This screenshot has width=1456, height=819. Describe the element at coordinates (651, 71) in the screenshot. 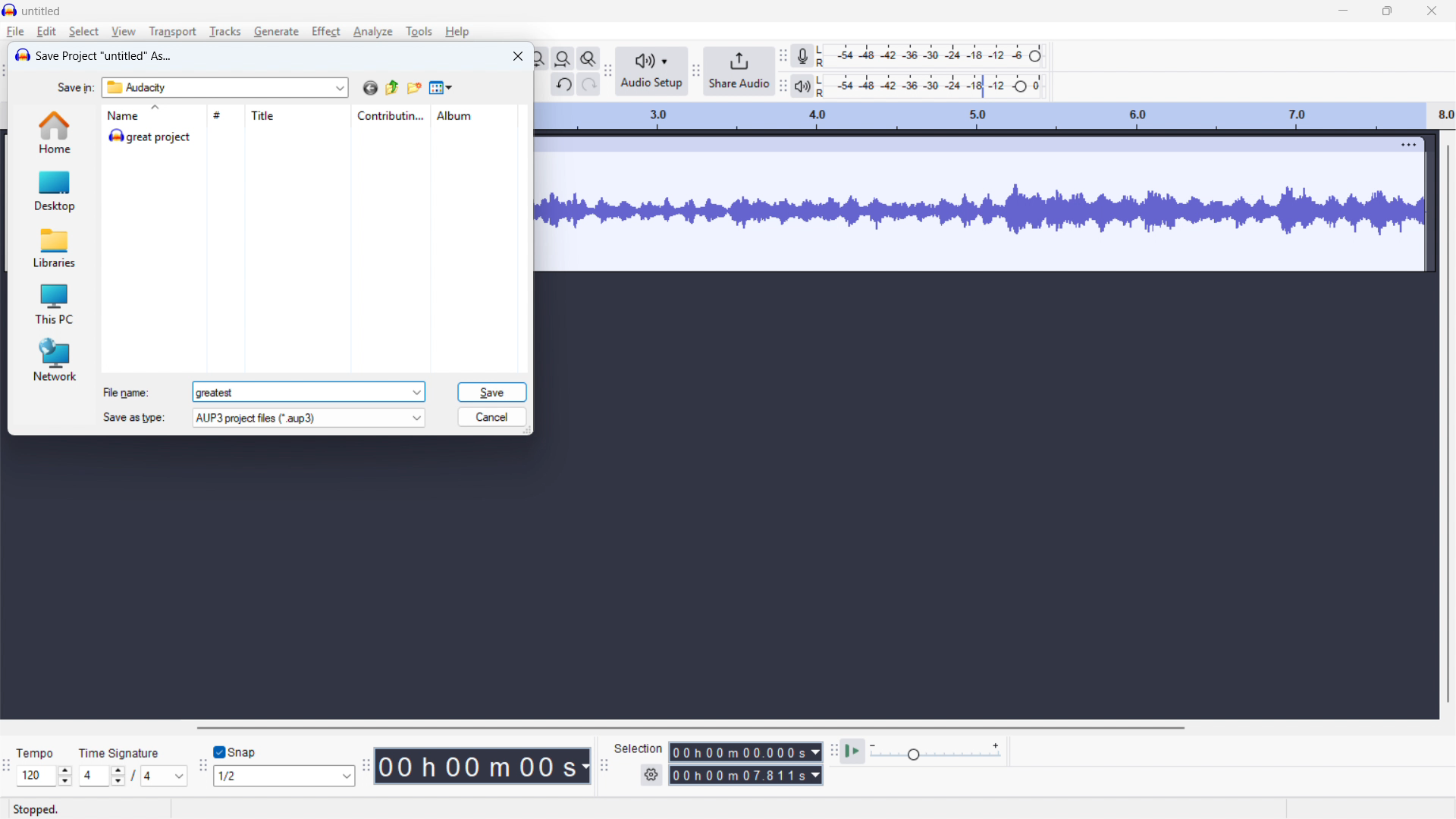

I see ` audio setup` at that location.